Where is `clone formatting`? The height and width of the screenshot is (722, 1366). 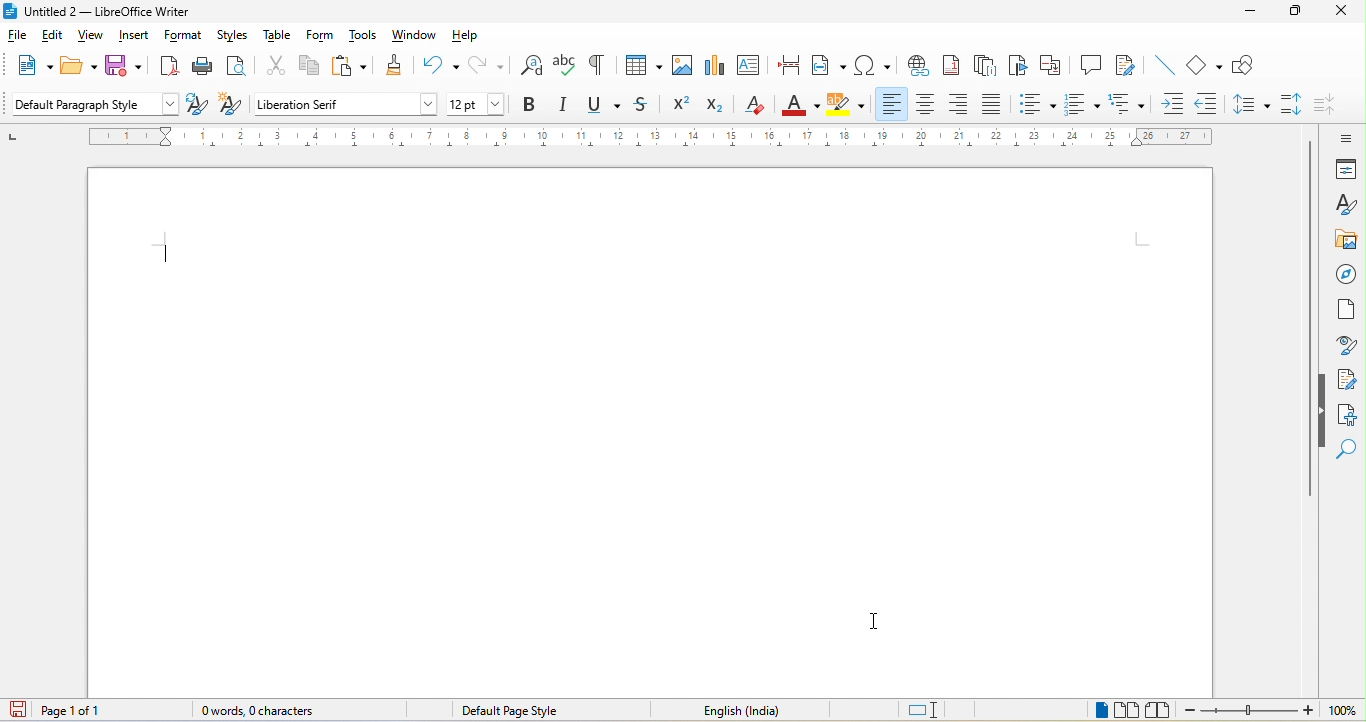 clone formatting is located at coordinates (399, 69).